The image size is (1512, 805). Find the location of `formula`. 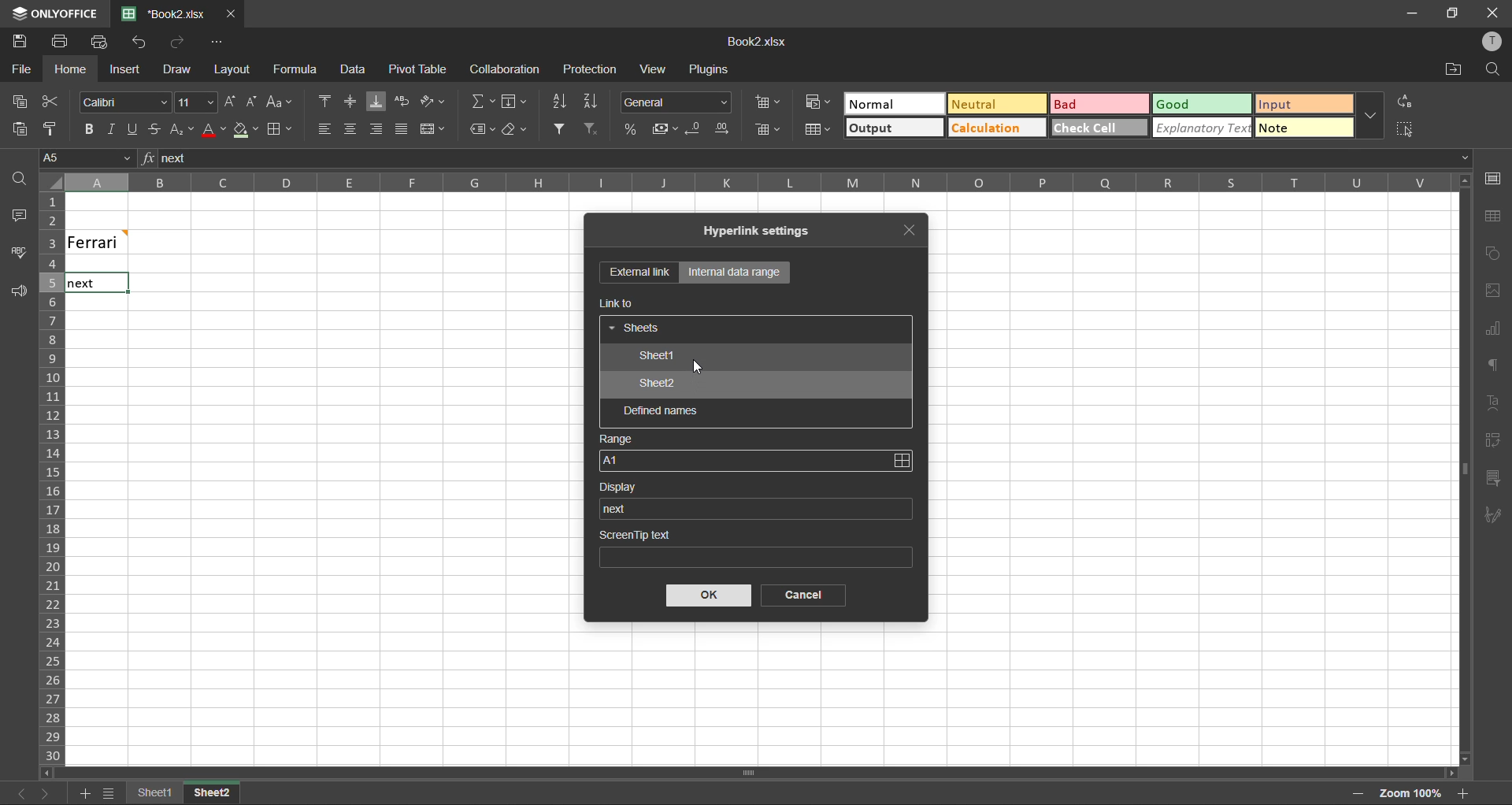

formula is located at coordinates (298, 71).